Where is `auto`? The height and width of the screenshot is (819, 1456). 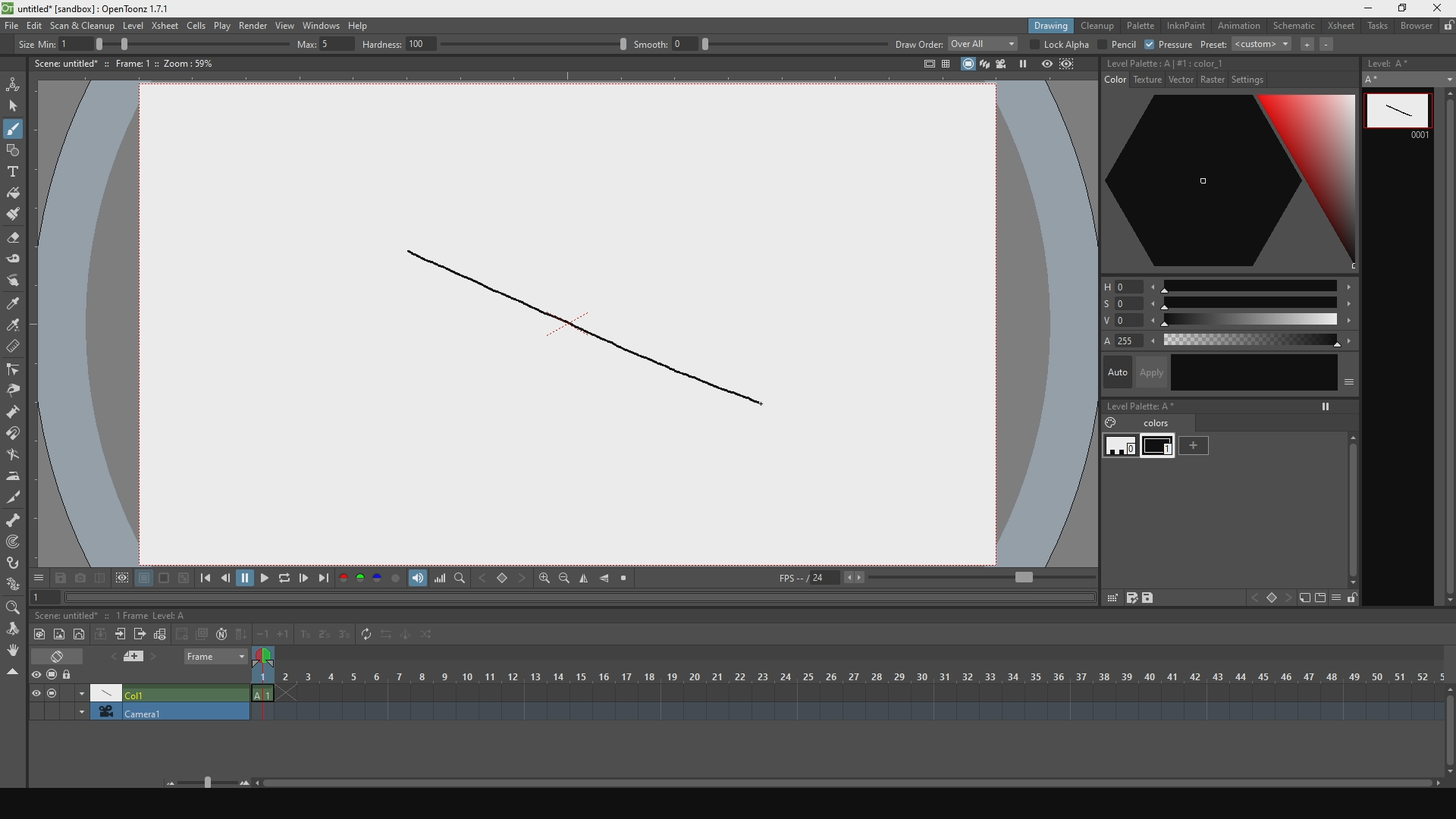
auto is located at coordinates (1228, 375).